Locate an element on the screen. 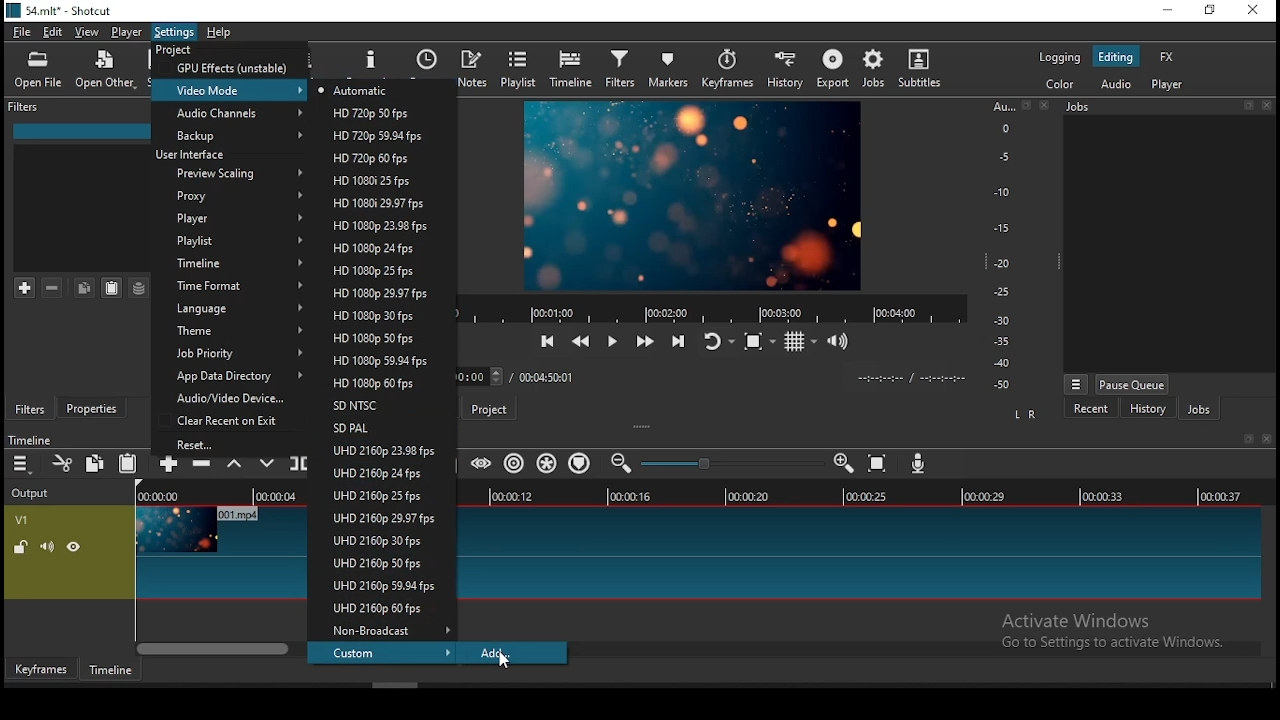 The height and width of the screenshot is (720, 1280). help is located at coordinates (226, 32).